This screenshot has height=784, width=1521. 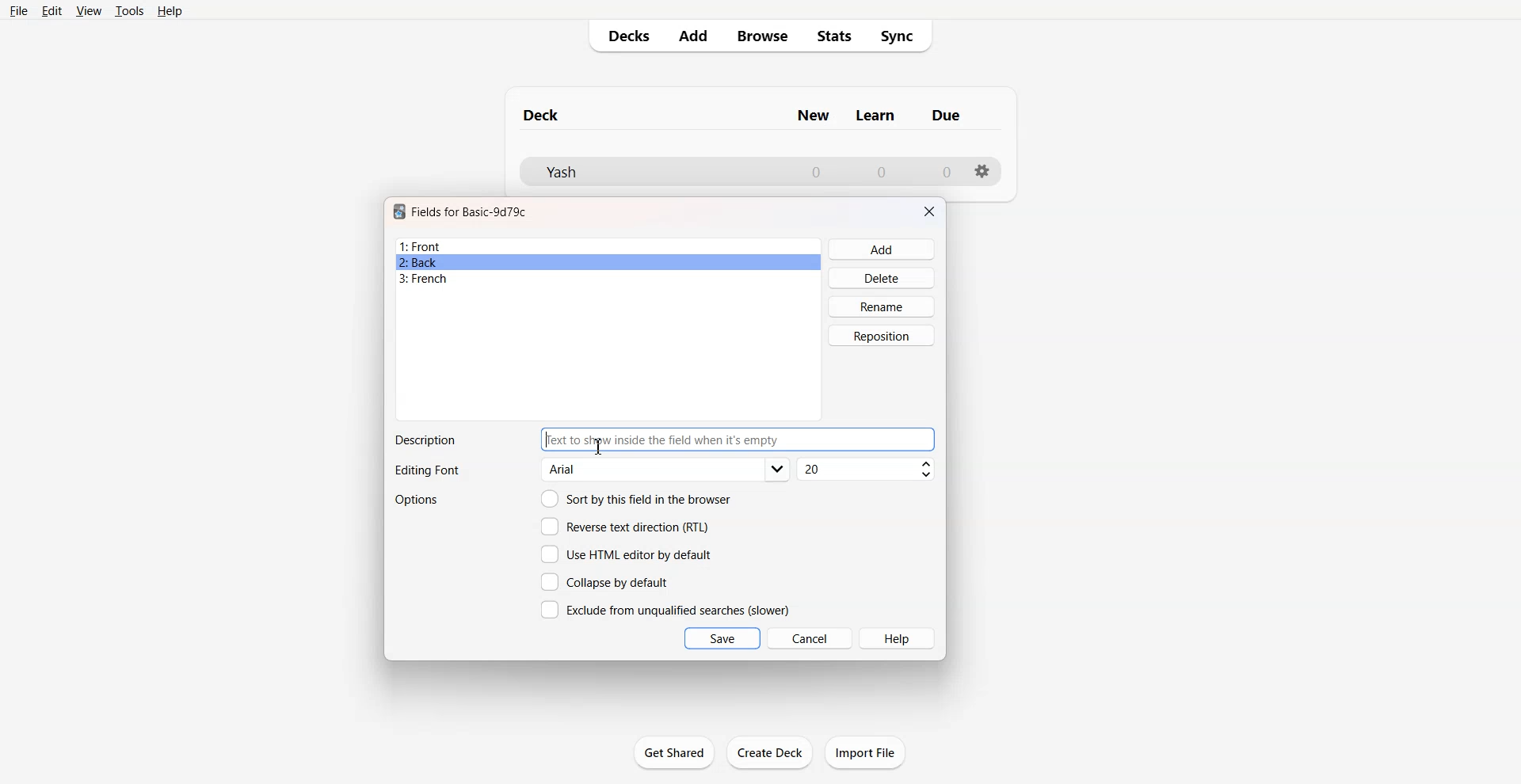 I want to click on Stats, so click(x=835, y=36).